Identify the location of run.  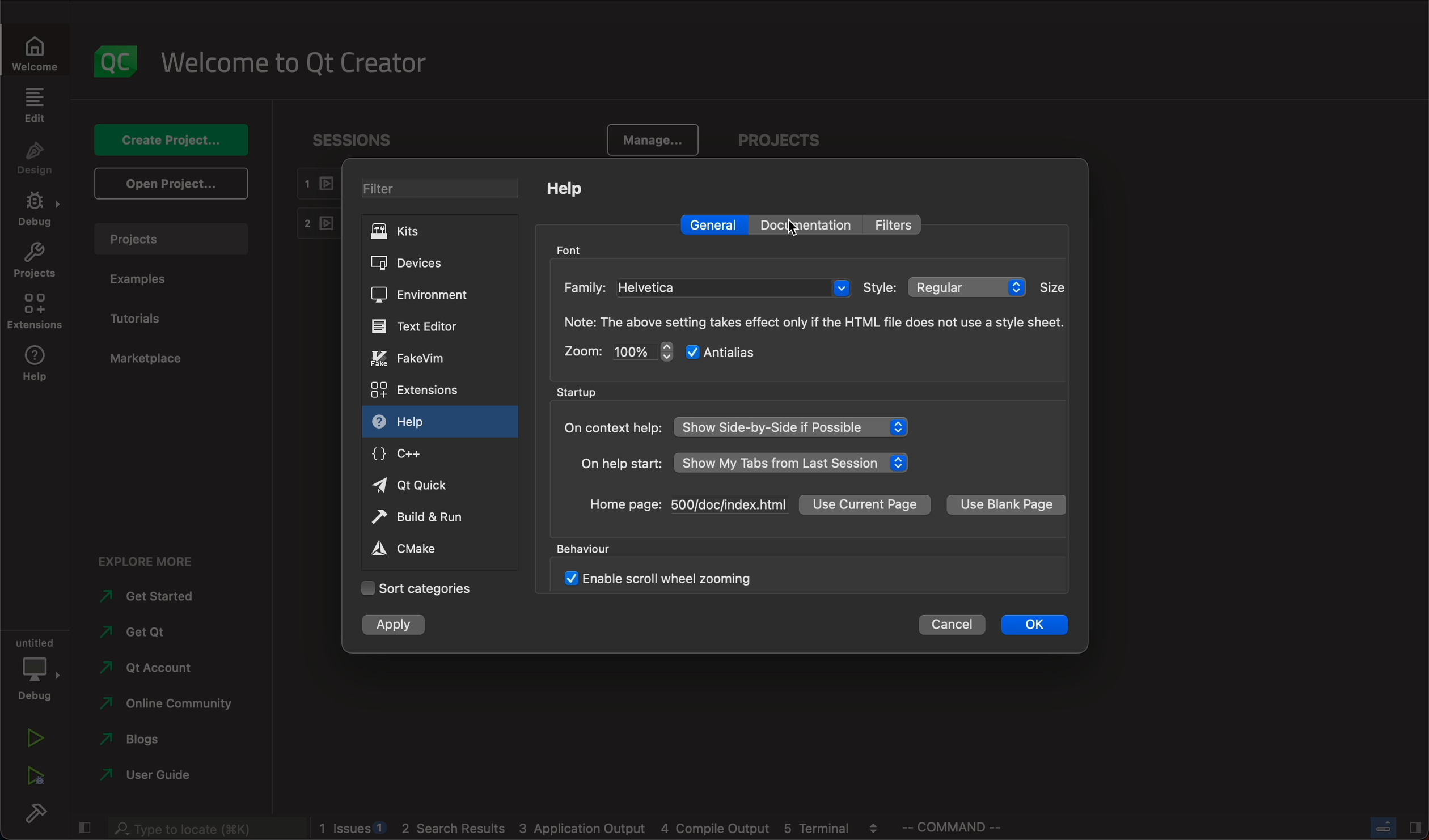
(35, 737).